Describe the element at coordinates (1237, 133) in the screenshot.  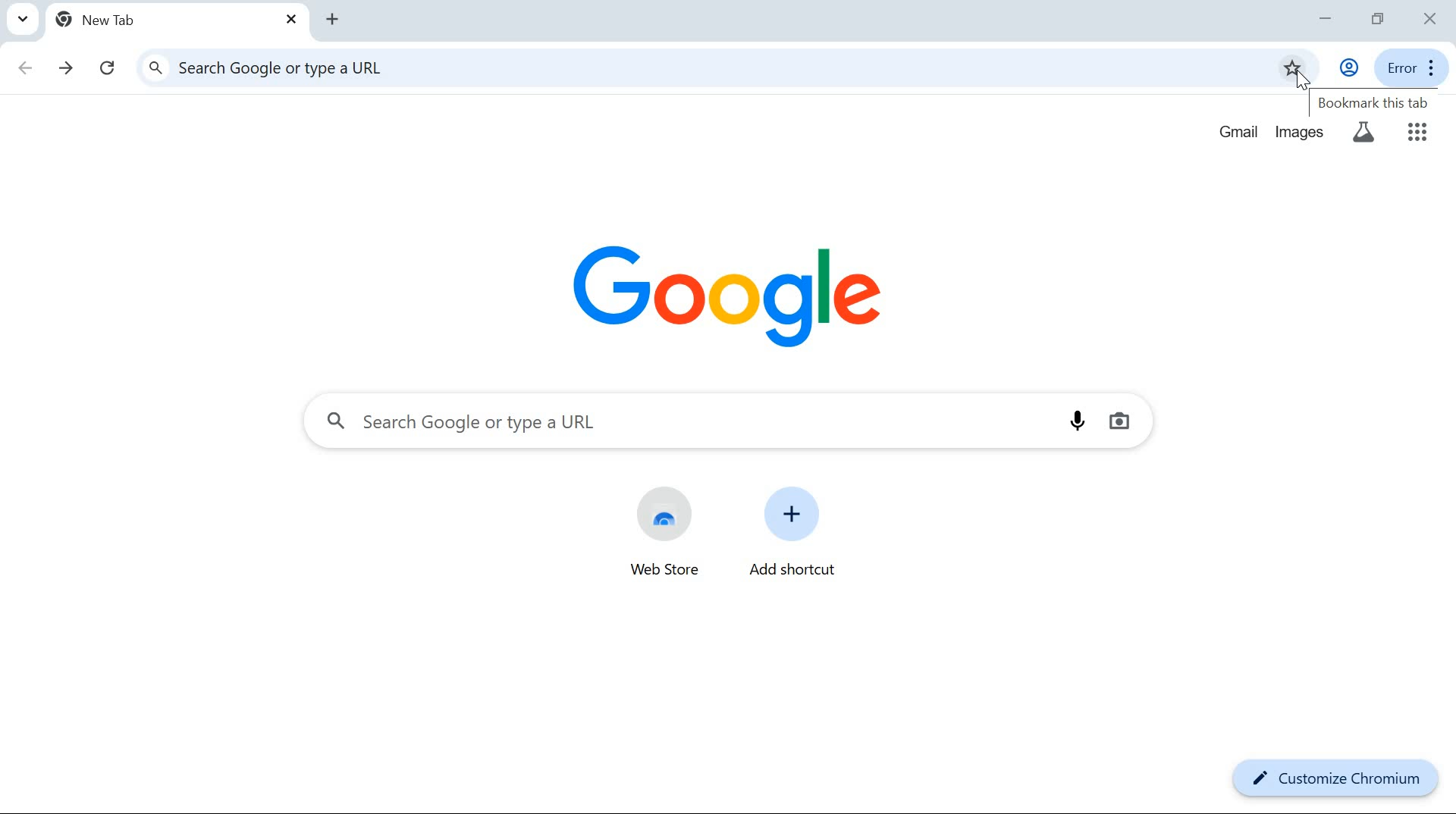
I see `gmail` at that location.